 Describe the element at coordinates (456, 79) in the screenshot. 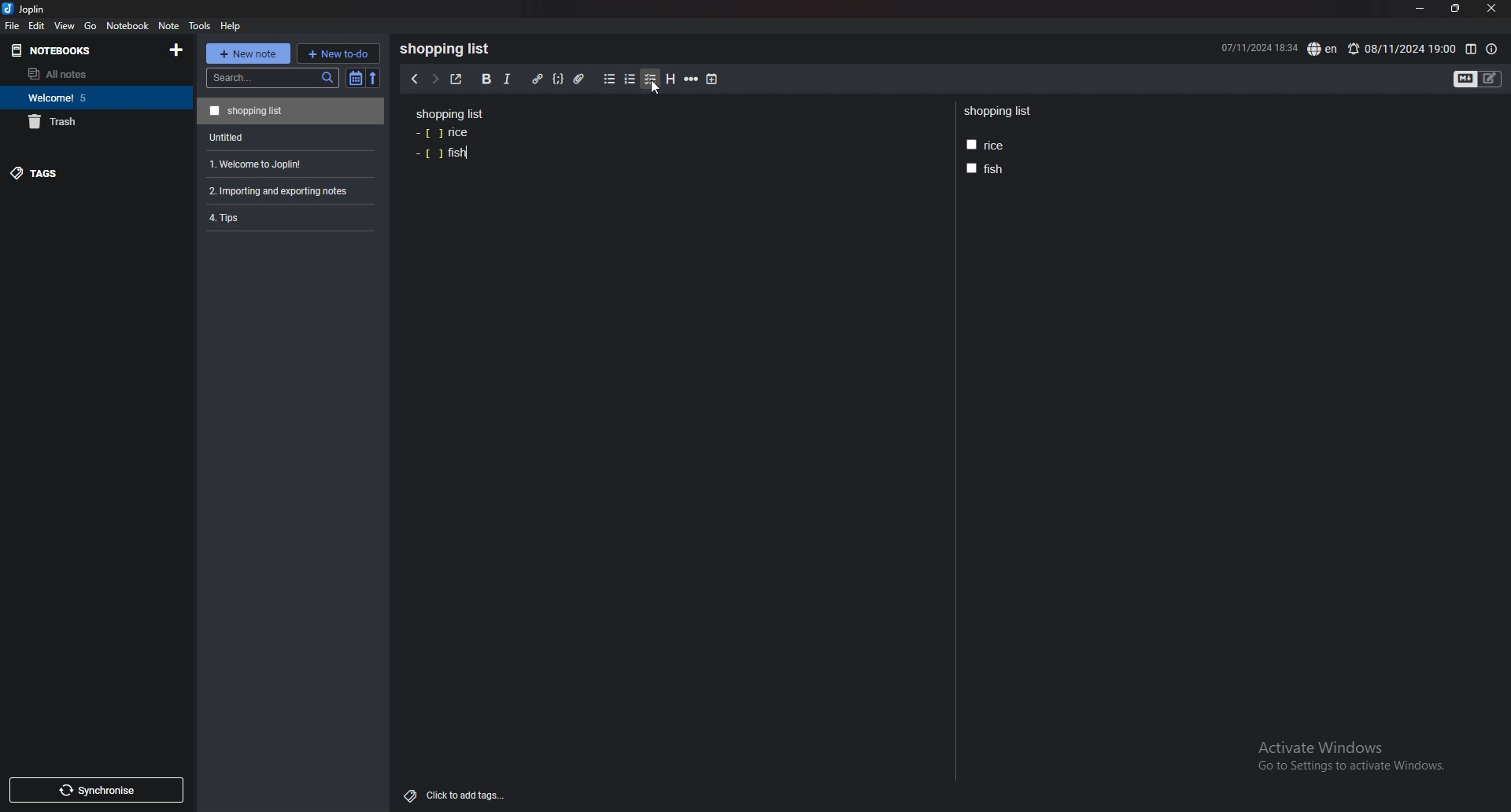

I see `toggle external editor` at that location.